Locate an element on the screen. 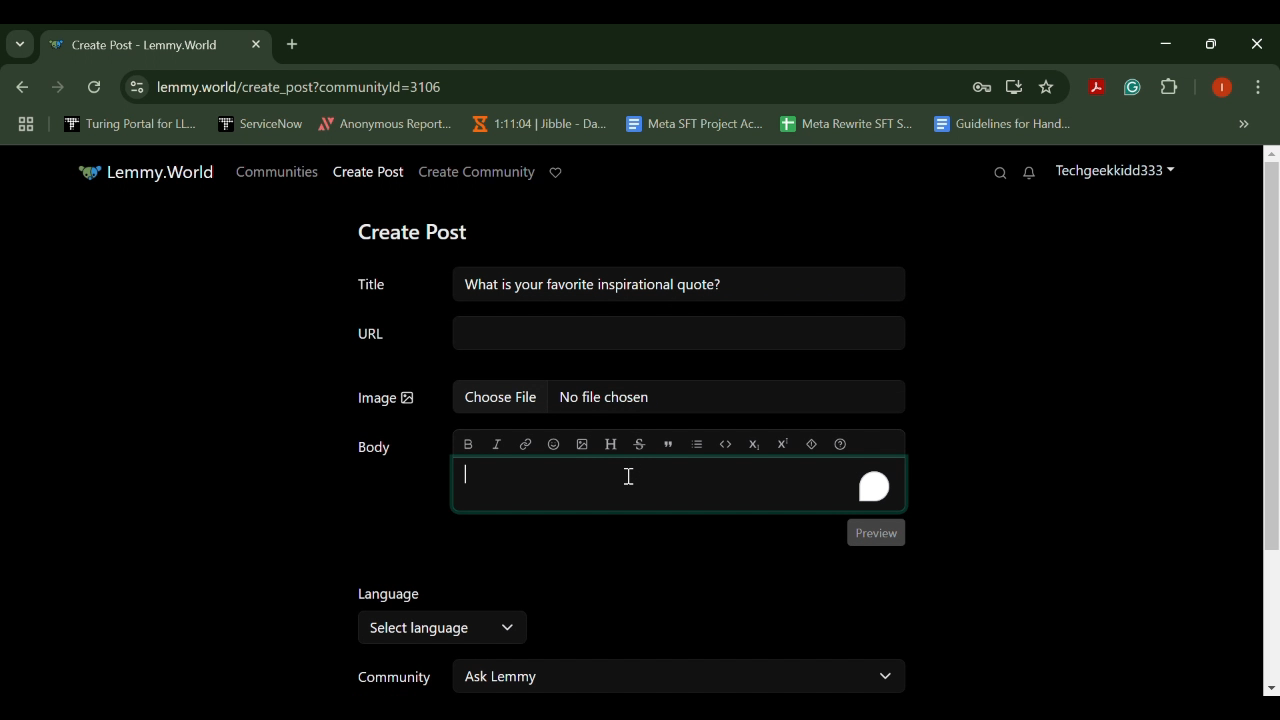  Techgeekkidd333 is located at coordinates (1114, 173).